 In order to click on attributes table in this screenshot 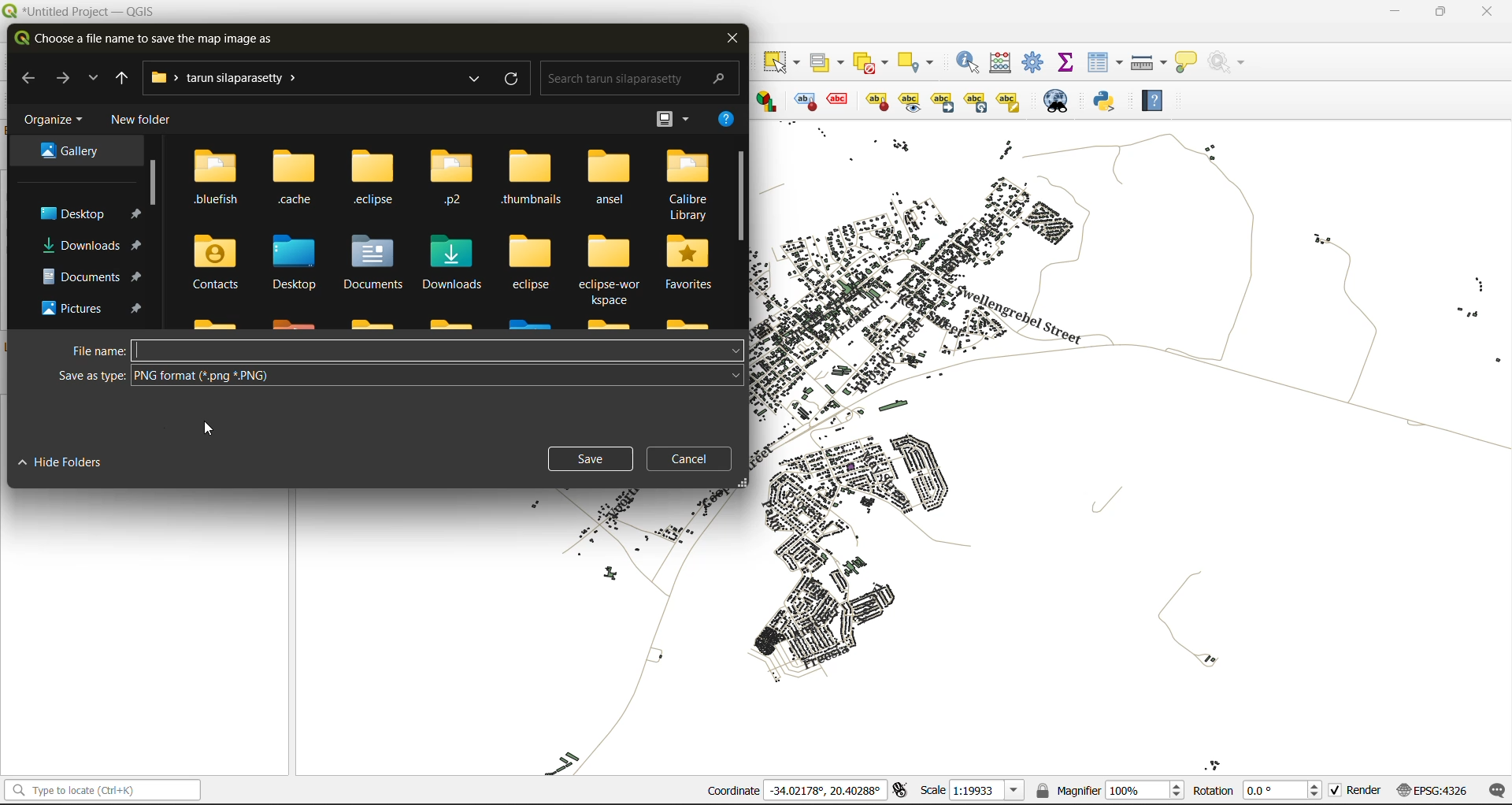, I will do `click(1106, 63)`.